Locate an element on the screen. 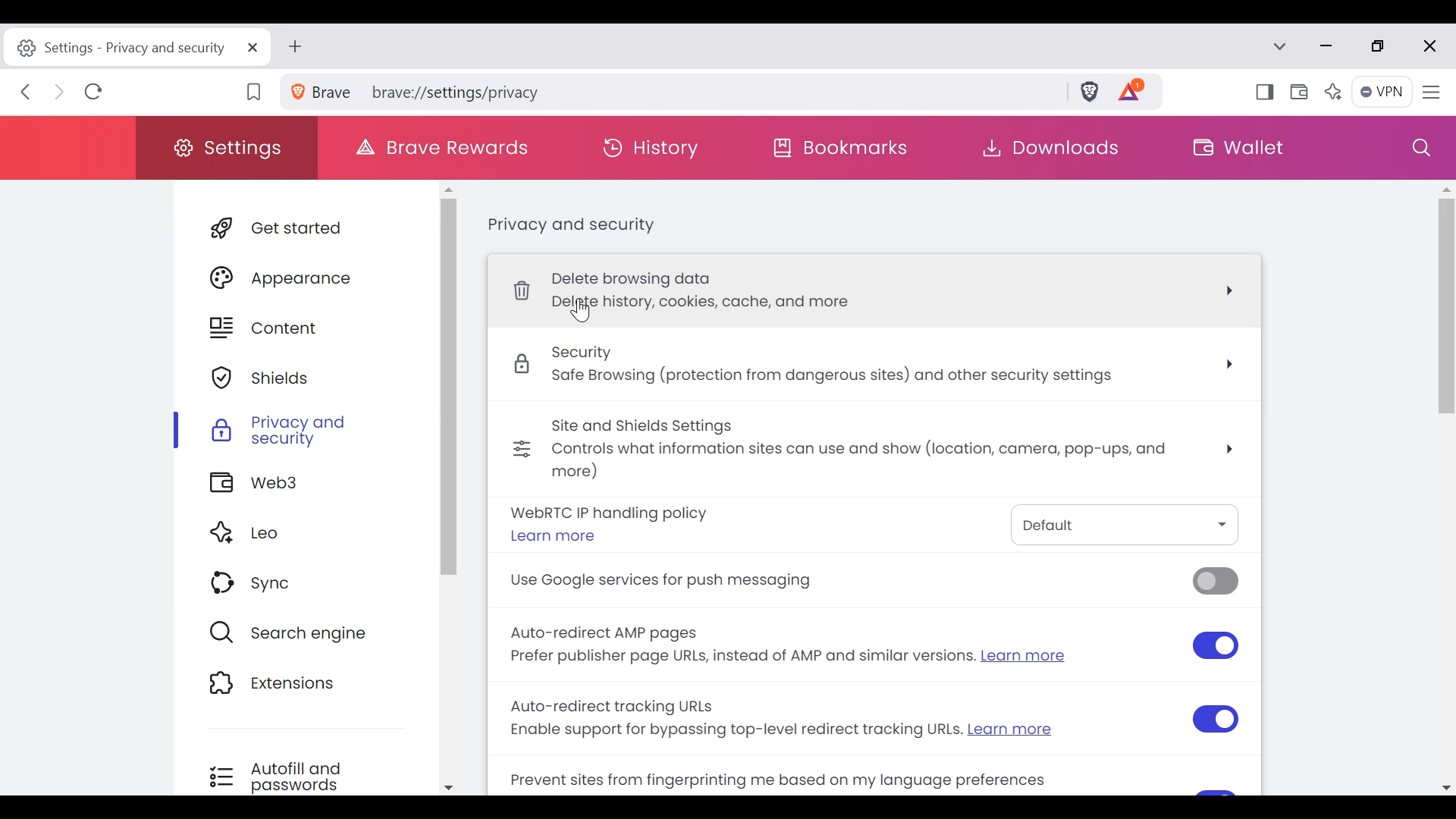 The width and height of the screenshot is (1456, 819). Bookmark this Tab is located at coordinates (256, 92).